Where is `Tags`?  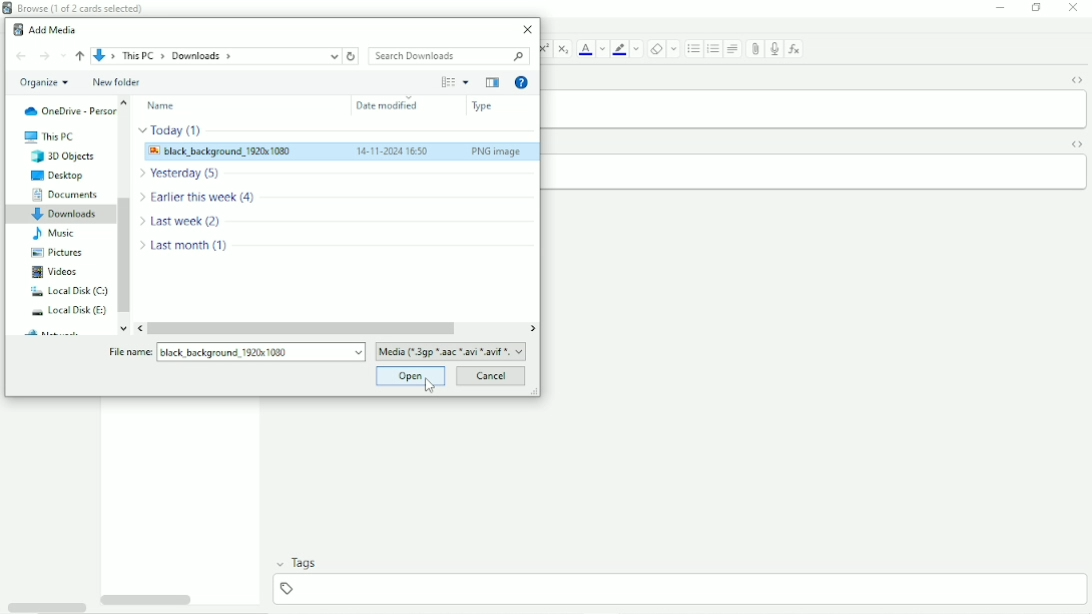 Tags is located at coordinates (304, 562).